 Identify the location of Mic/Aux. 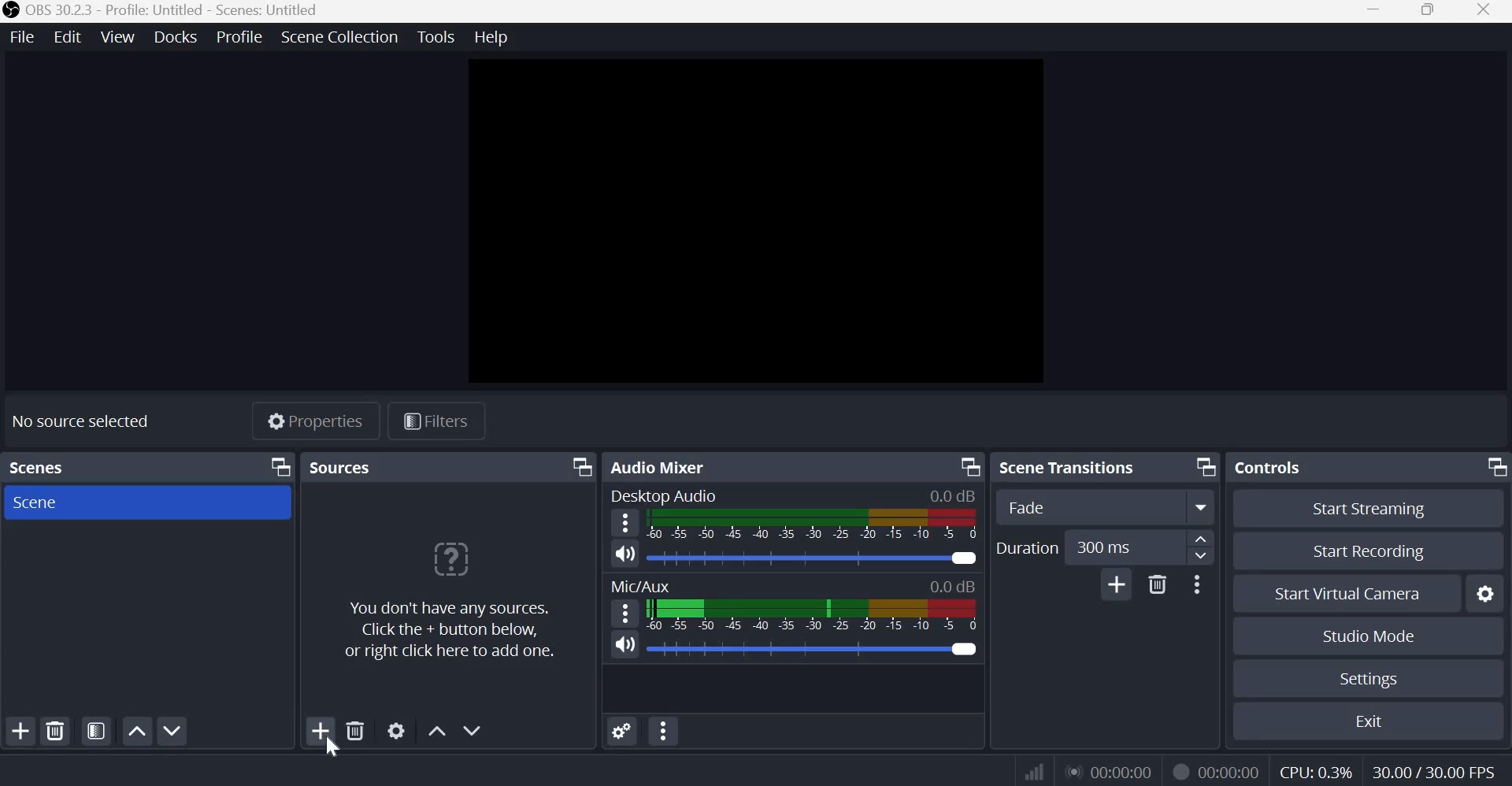
(640, 585).